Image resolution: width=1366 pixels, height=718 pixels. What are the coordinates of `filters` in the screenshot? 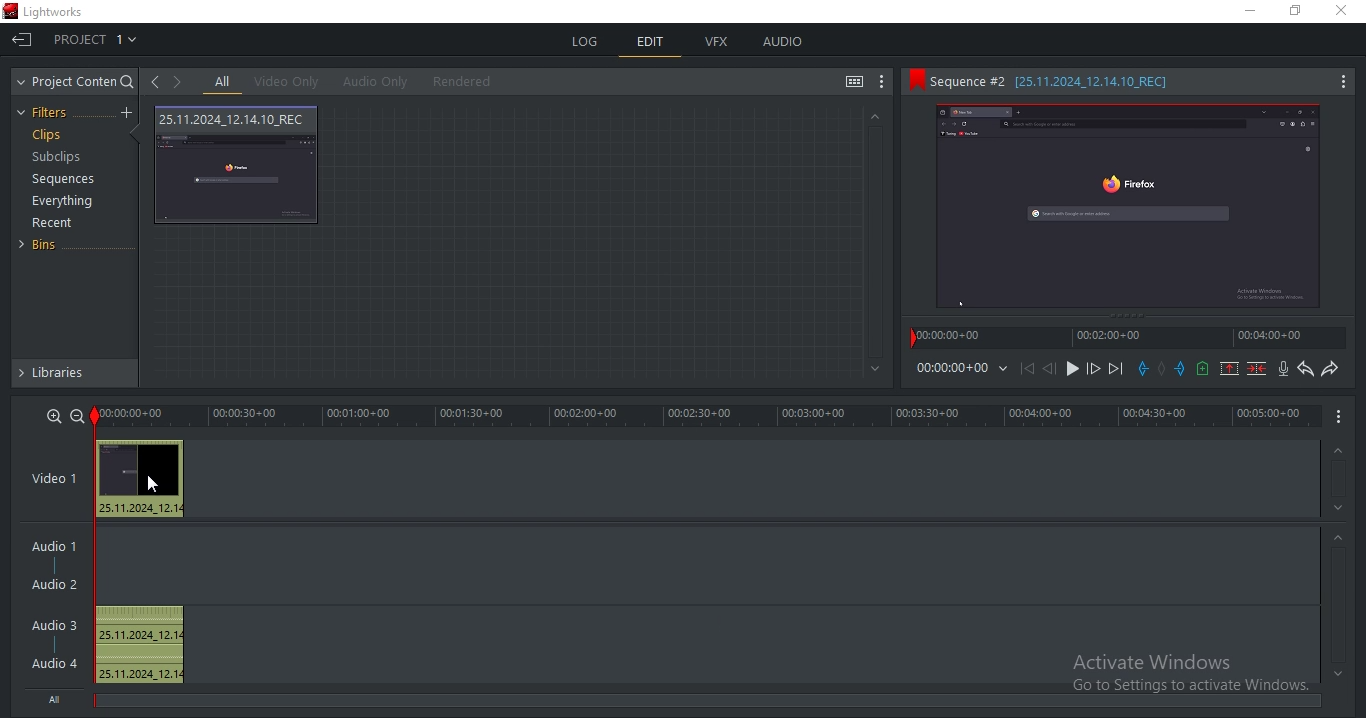 It's located at (45, 113).